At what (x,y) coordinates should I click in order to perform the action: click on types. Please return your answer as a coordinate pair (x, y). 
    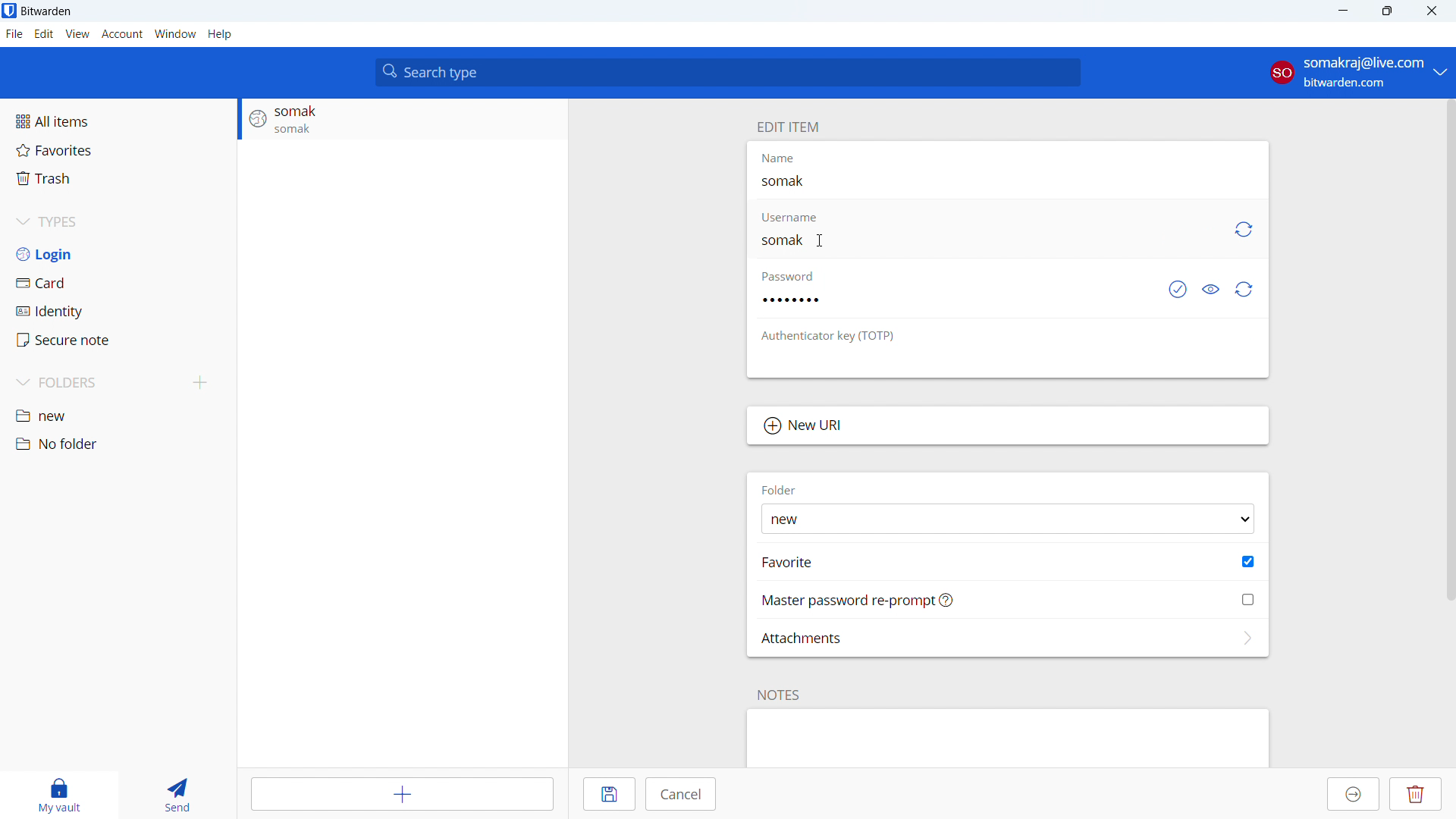
    Looking at the image, I should click on (118, 221).